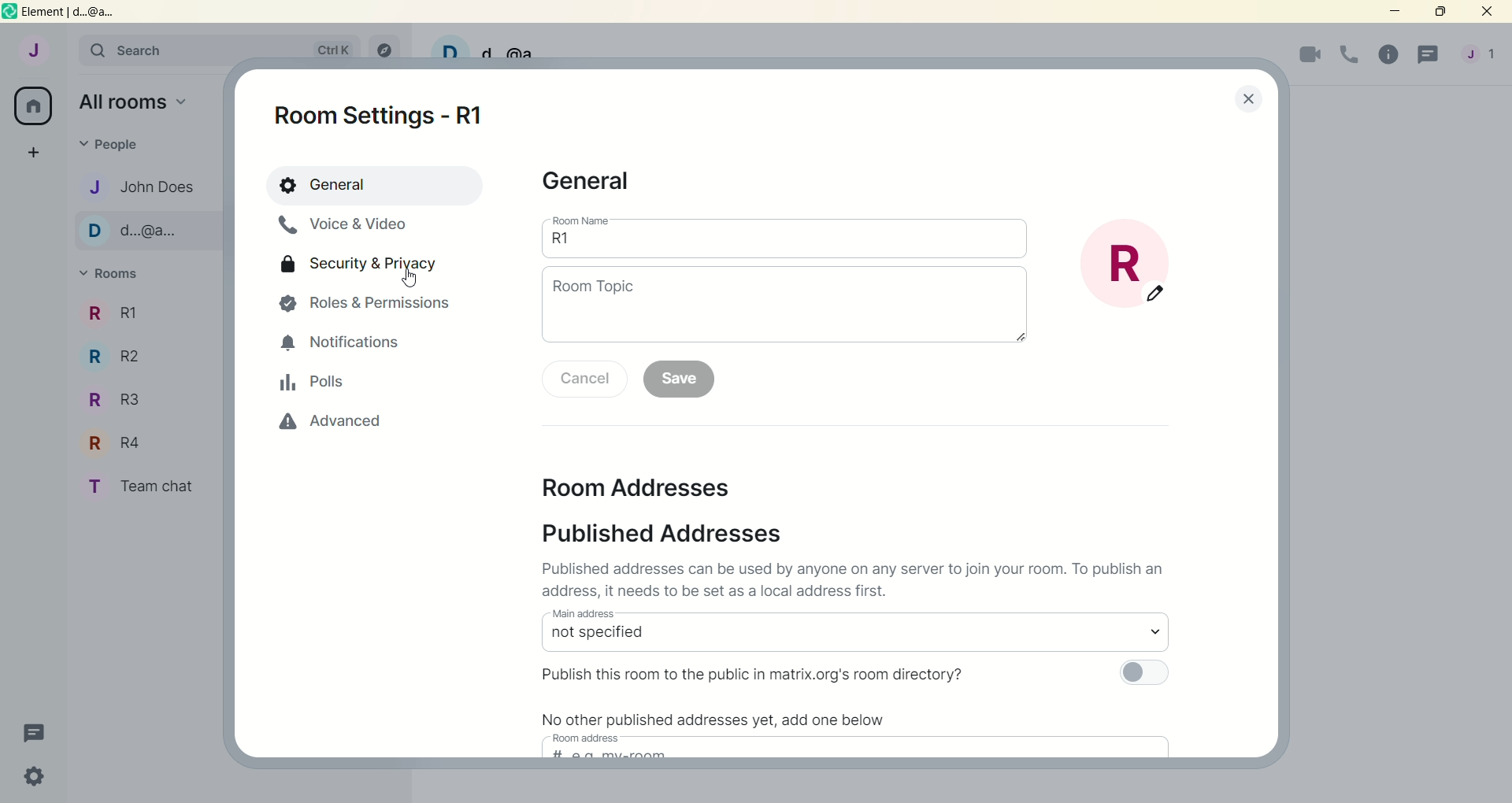 Image resolution: width=1512 pixels, height=803 pixels. What do you see at coordinates (1439, 13) in the screenshot?
I see `maximize` at bounding box center [1439, 13].